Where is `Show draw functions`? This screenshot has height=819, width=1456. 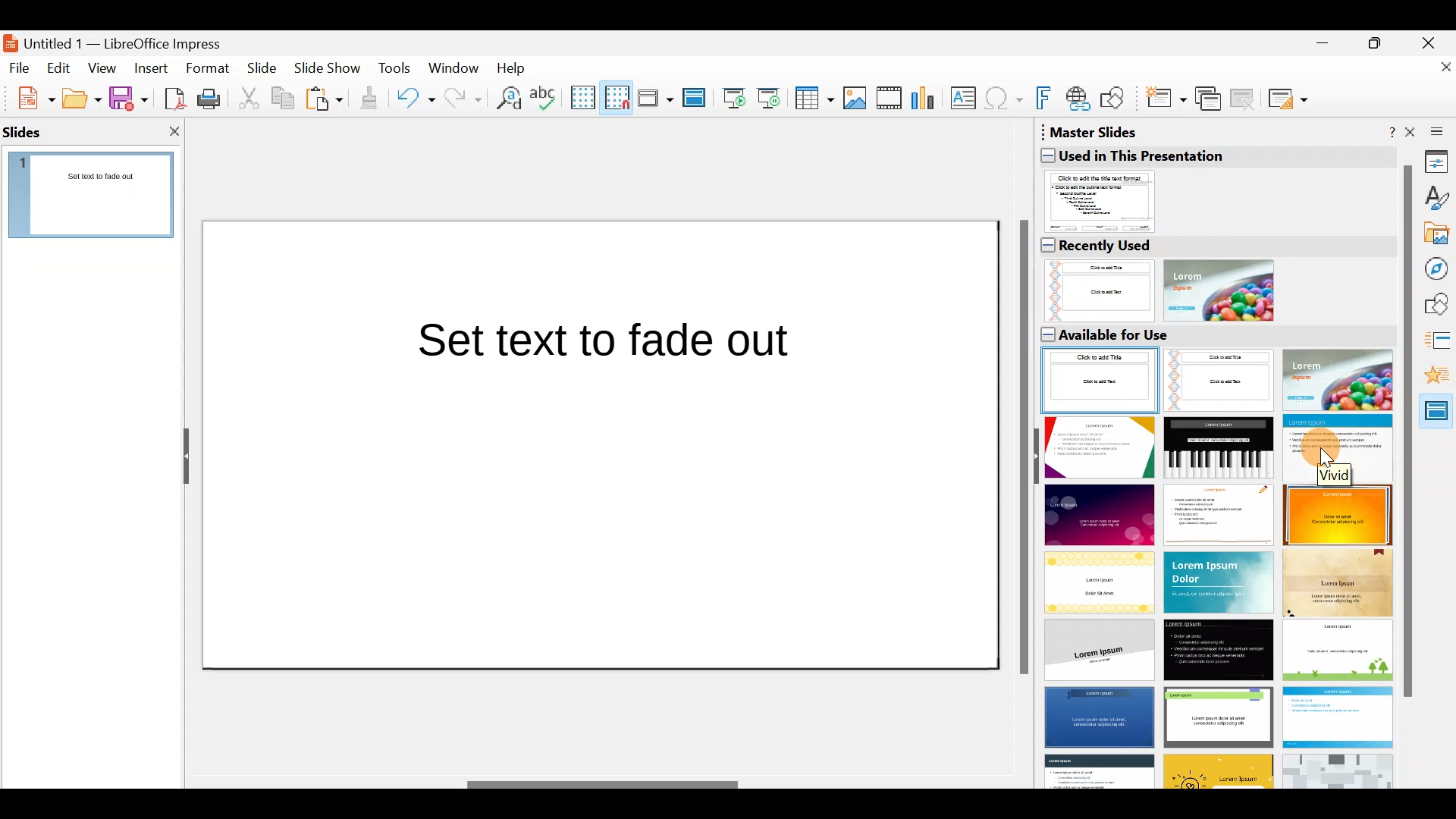 Show draw functions is located at coordinates (1116, 99).